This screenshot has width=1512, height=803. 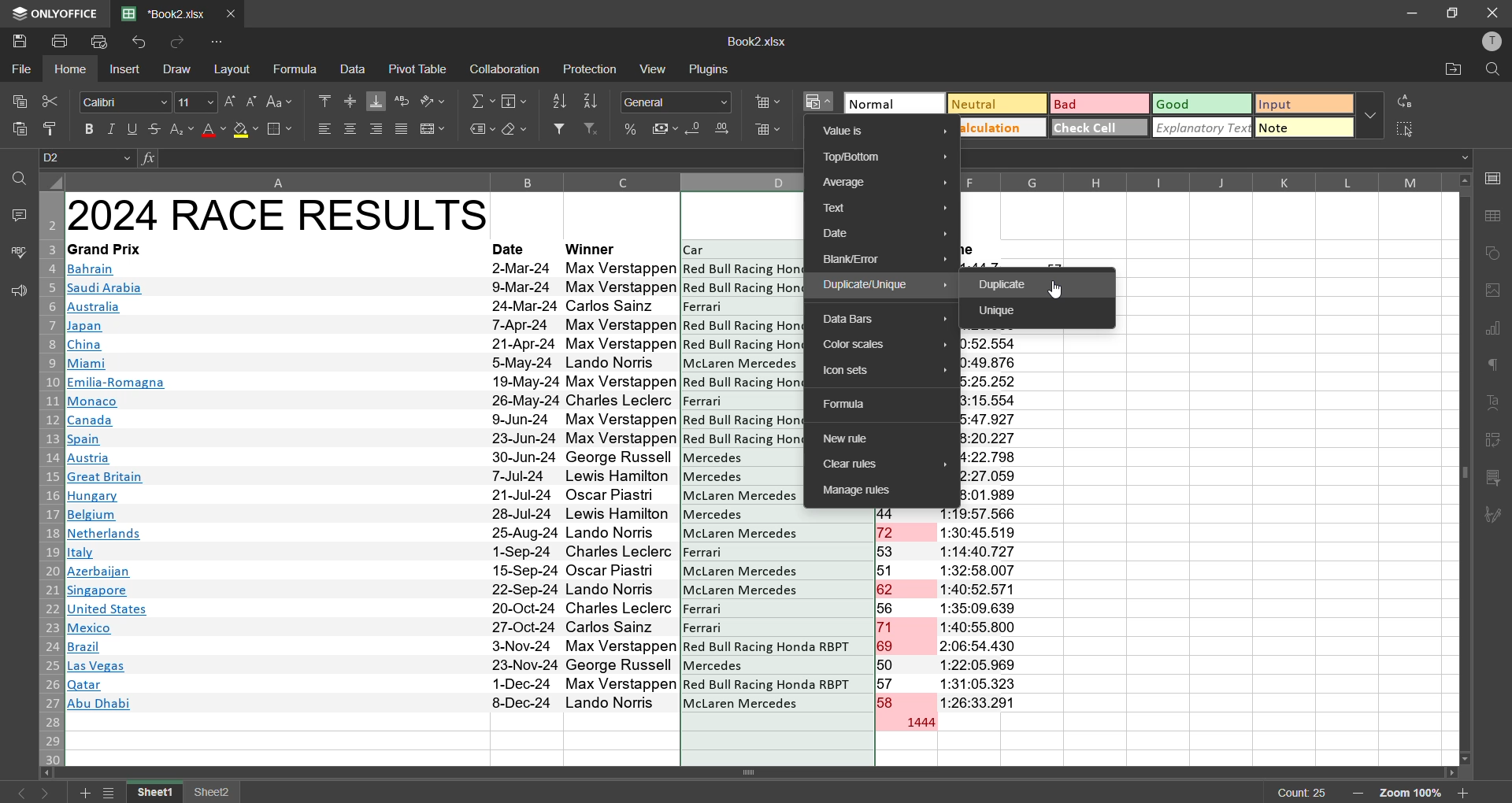 I want to click on accounting, so click(x=665, y=126).